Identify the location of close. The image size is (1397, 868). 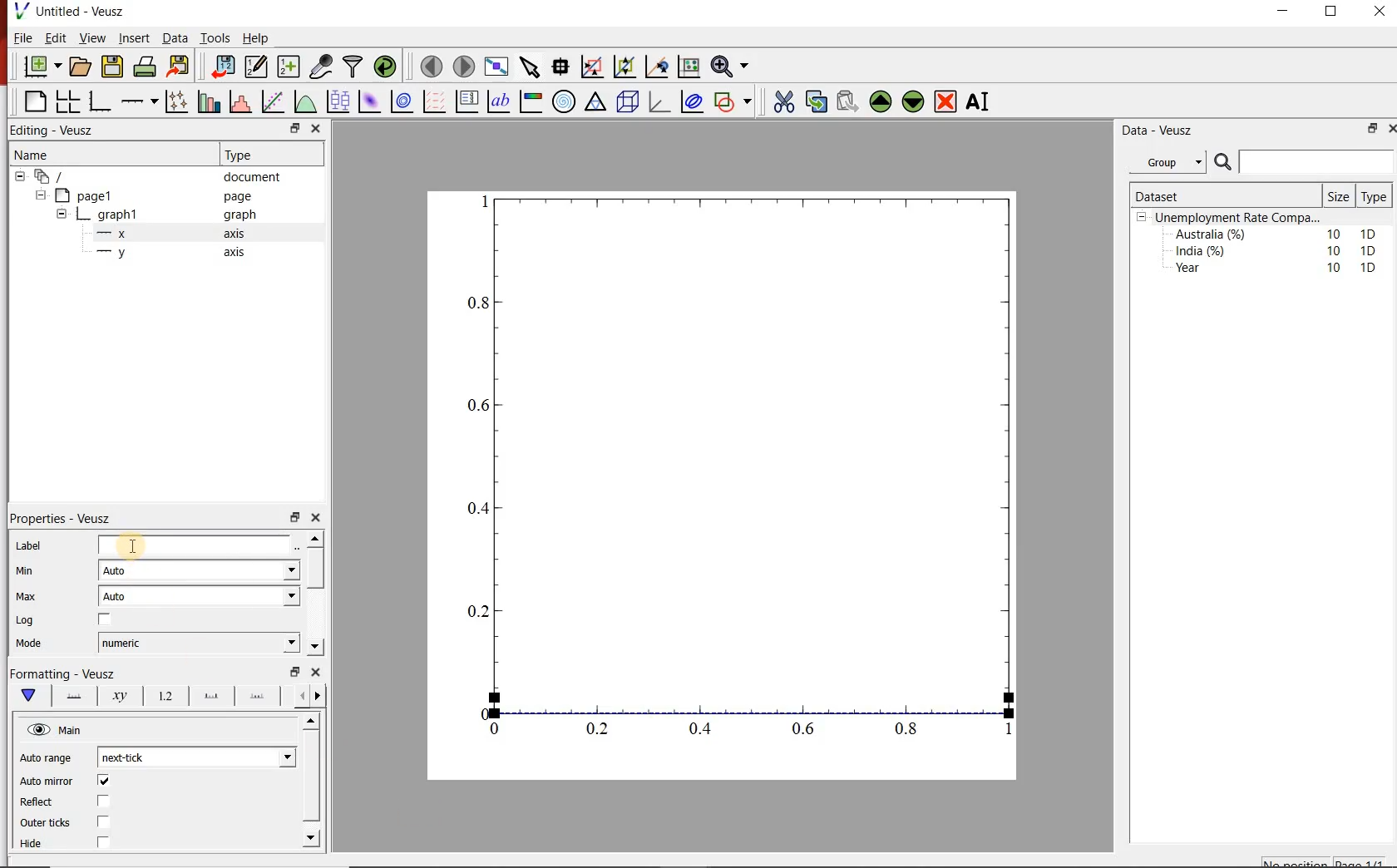
(317, 672).